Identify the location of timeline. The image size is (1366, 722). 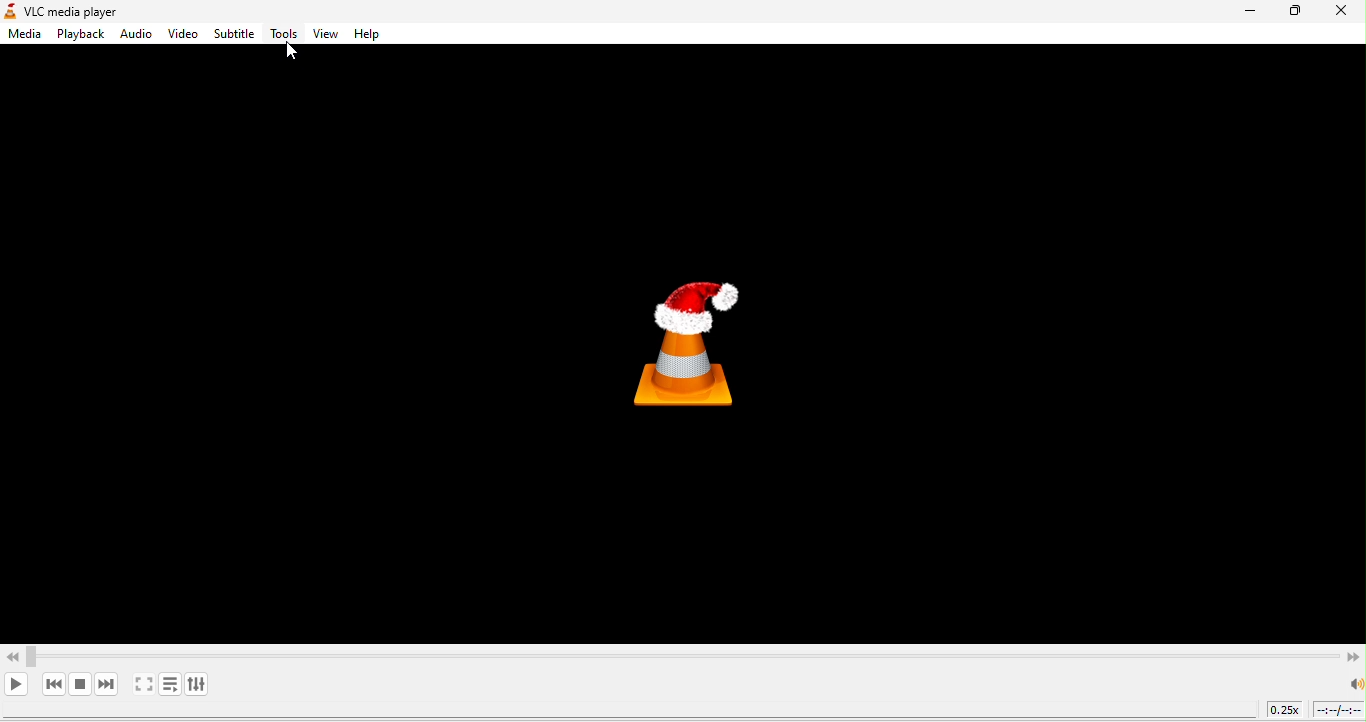
(1339, 710).